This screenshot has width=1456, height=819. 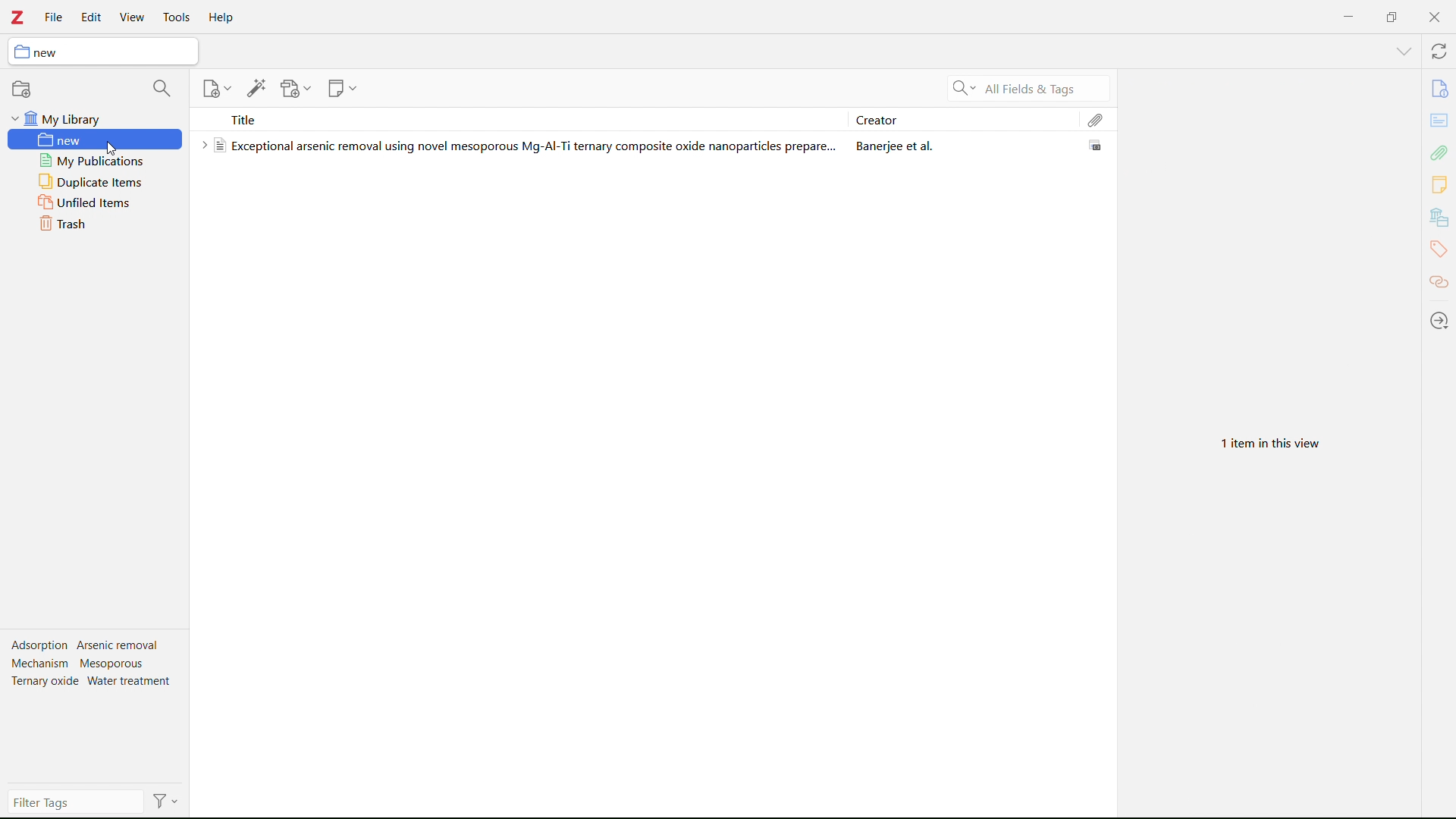 What do you see at coordinates (651, 145) in the screenshot?
I see `‘Advances in oil-water separation: a complete guide for physical, chemical, and biochemical processes Das et al.` at bounding box center [651, 145].